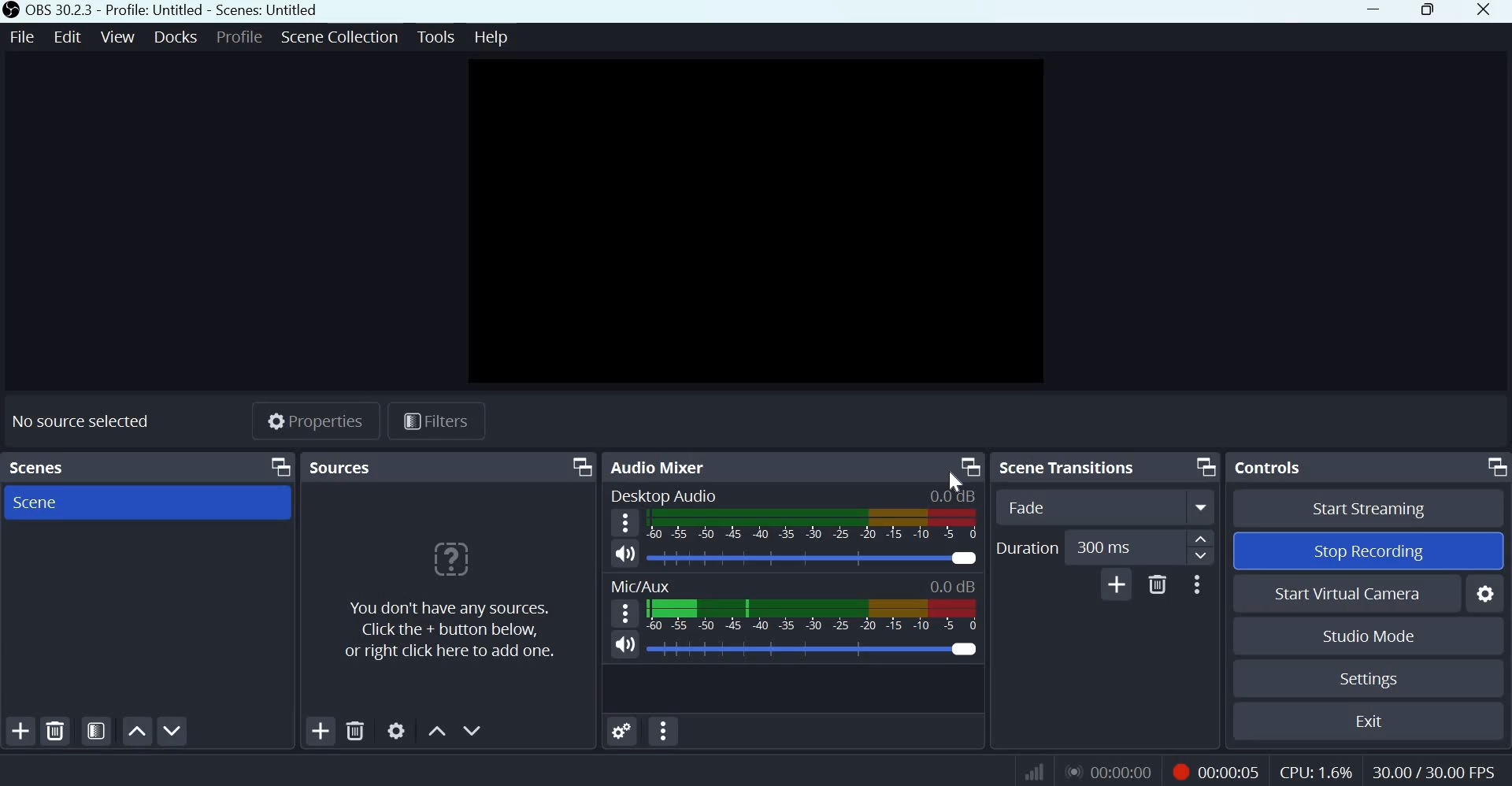 The width and height of the screenshot is (1512, 786). What do you see at coordinates (1483, 11) in the screenshot?
I see `Close` at bounding box center [1483, 11].